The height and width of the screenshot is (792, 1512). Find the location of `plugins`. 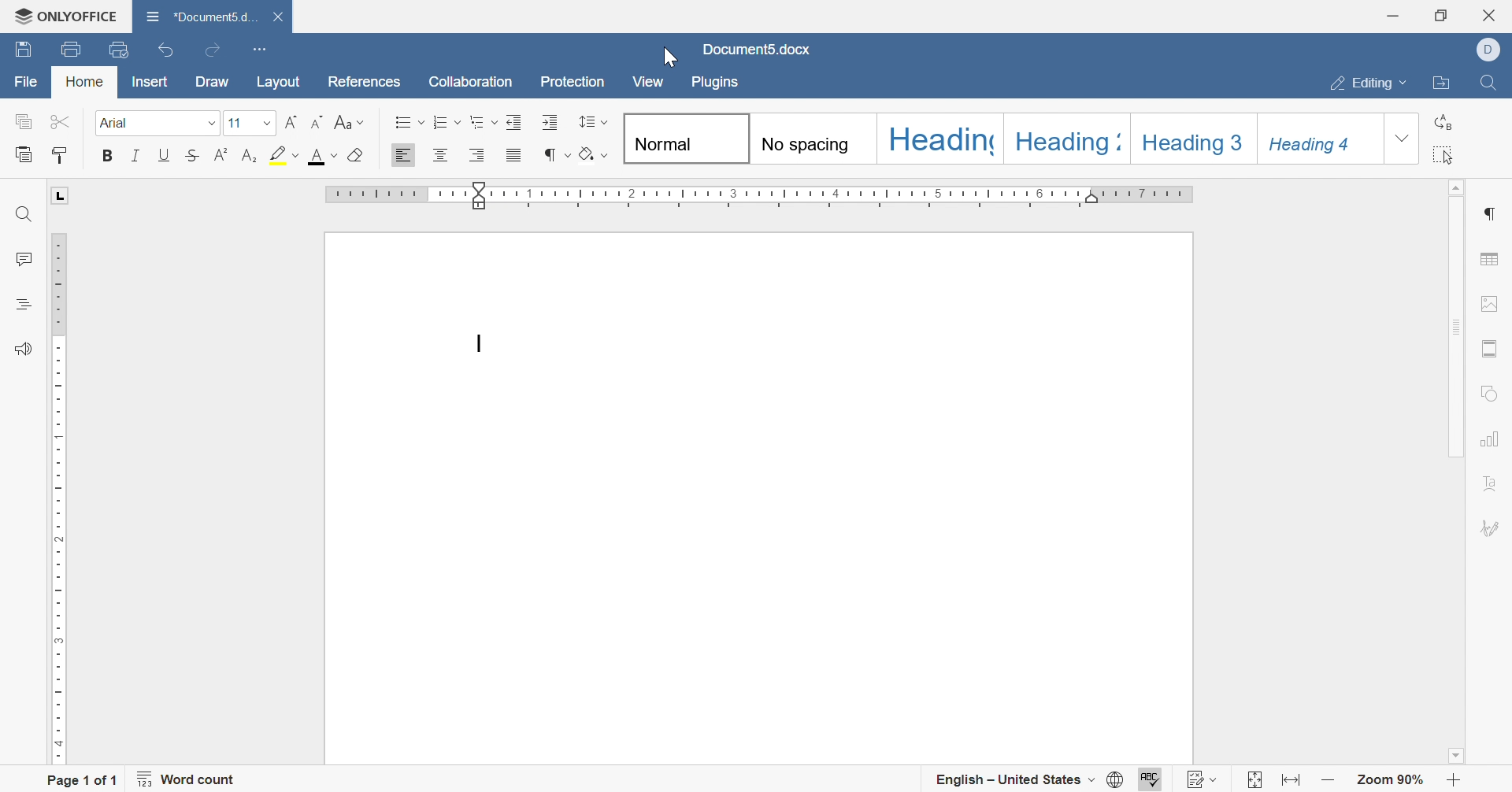

plugins is located at coordinates (717, 85).